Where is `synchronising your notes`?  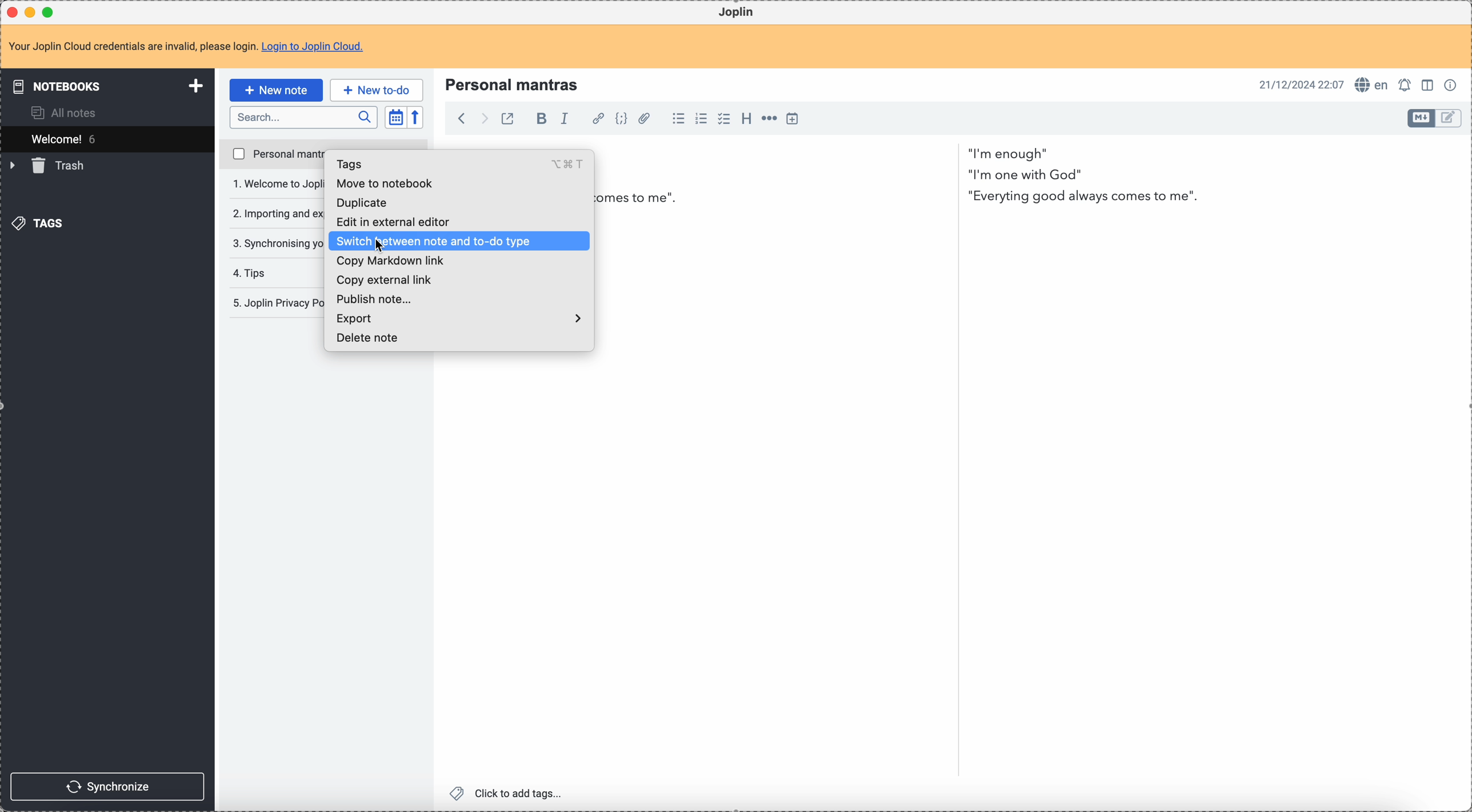
synchronising your notes is located at coordinates (278, 243).